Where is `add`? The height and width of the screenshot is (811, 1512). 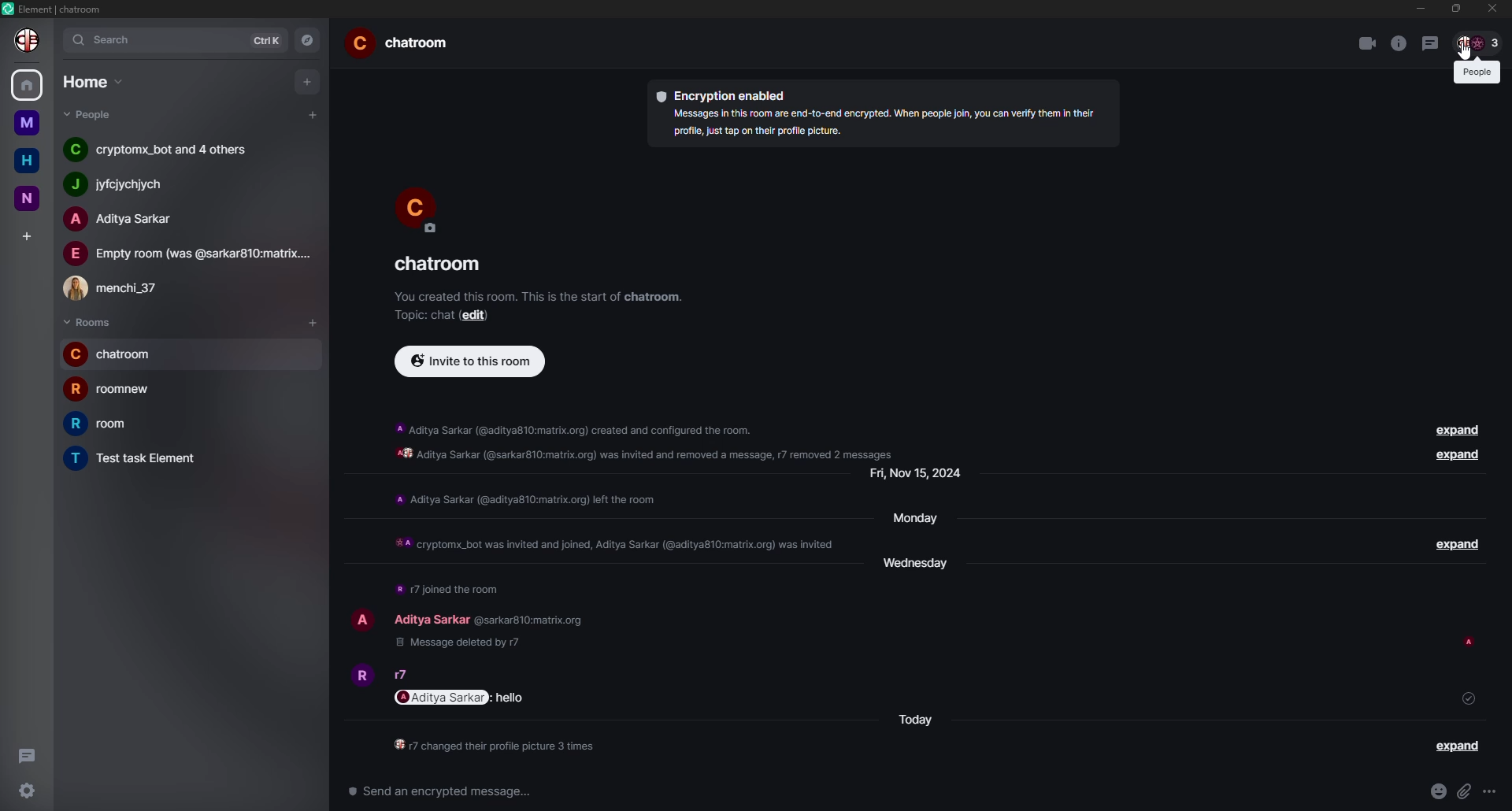
add is located at coordinates (309, 80).